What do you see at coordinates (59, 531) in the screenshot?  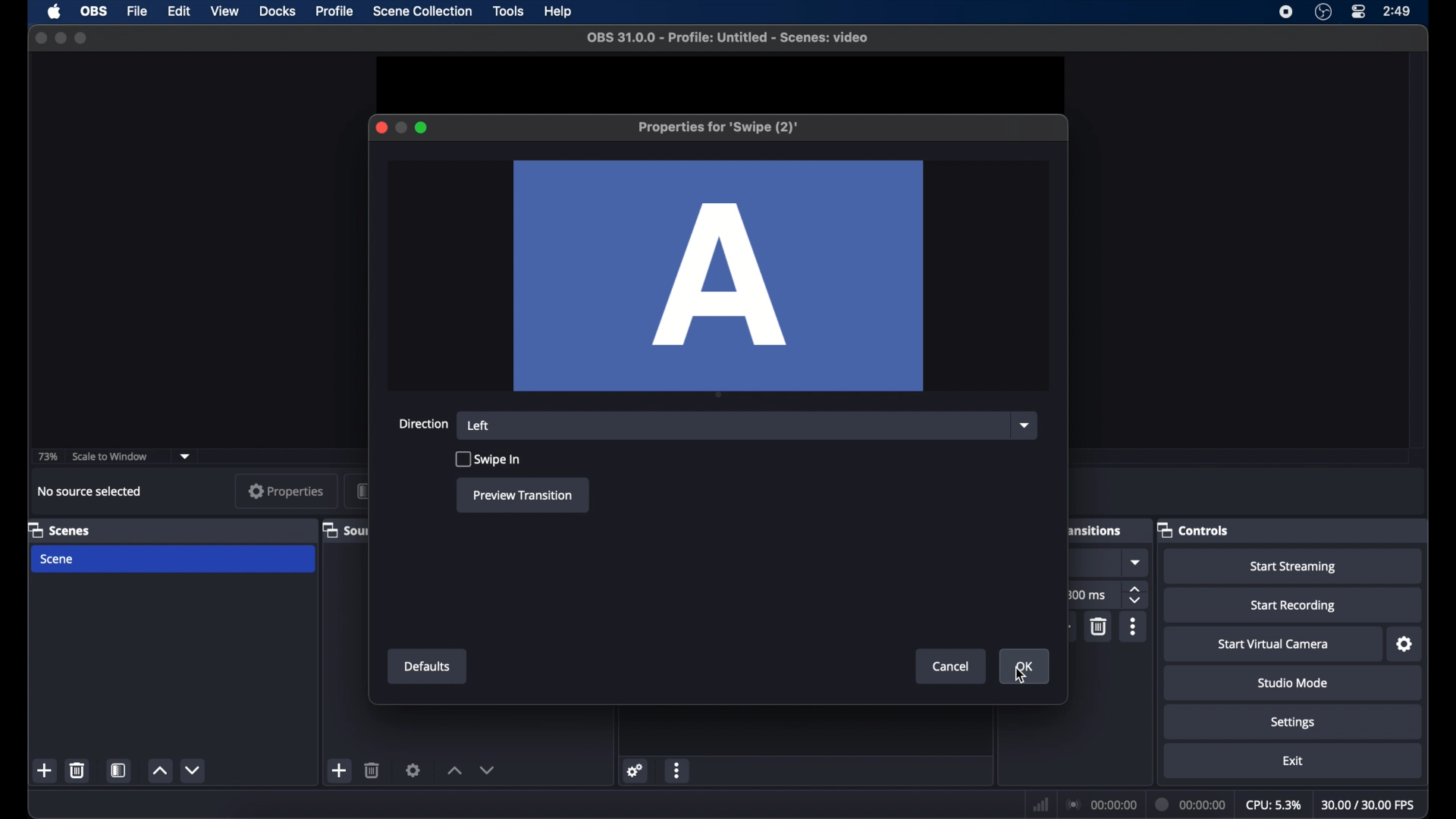 I see `scenes` at bounding box center [59, 531].